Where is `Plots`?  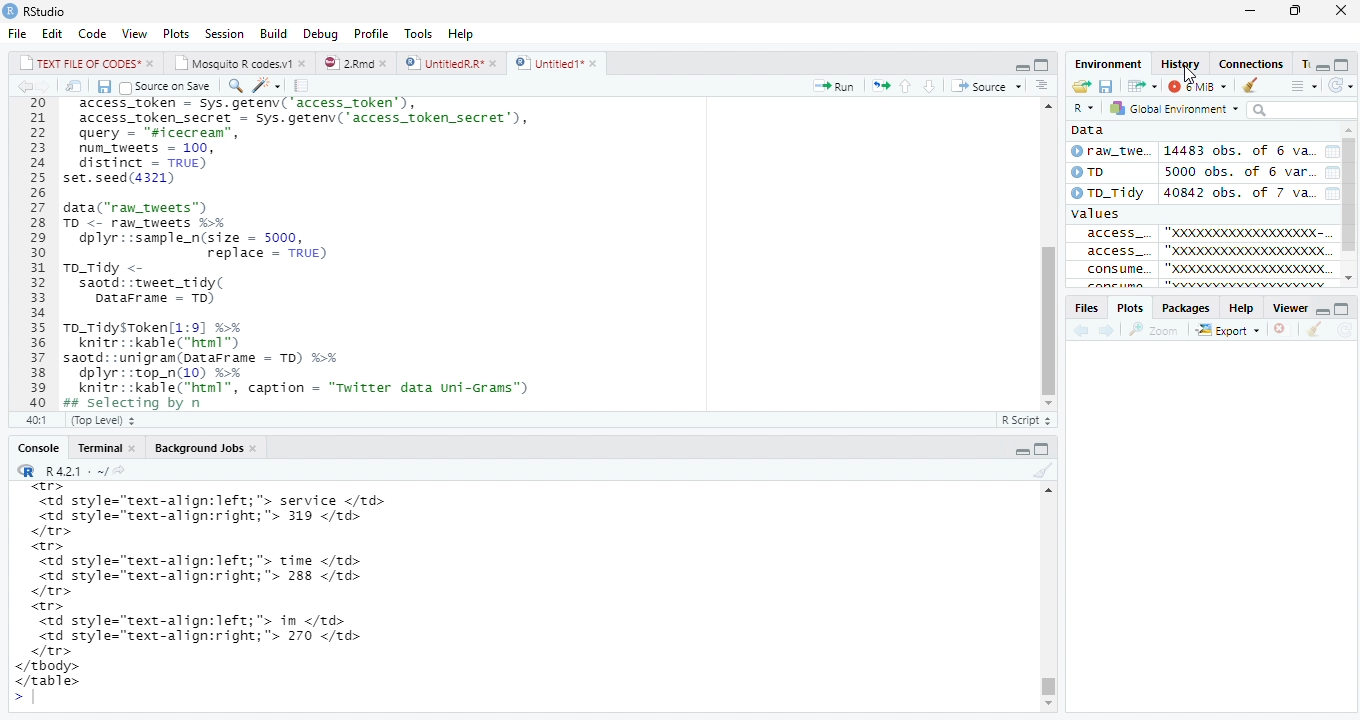
Plots is located at coordinates (176, 32).